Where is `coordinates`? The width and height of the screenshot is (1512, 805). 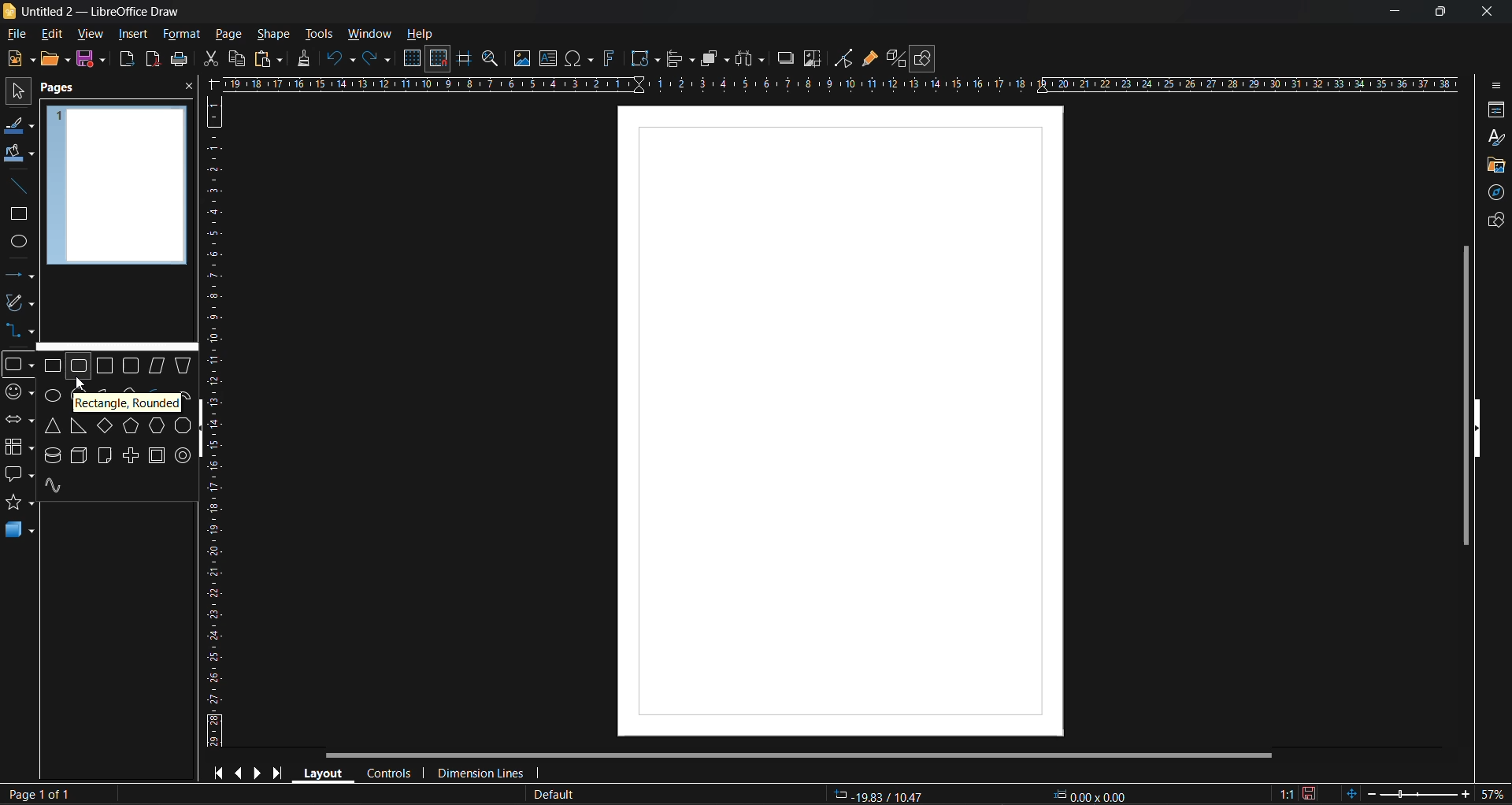 coordinates is located at coordinates (978, 796).